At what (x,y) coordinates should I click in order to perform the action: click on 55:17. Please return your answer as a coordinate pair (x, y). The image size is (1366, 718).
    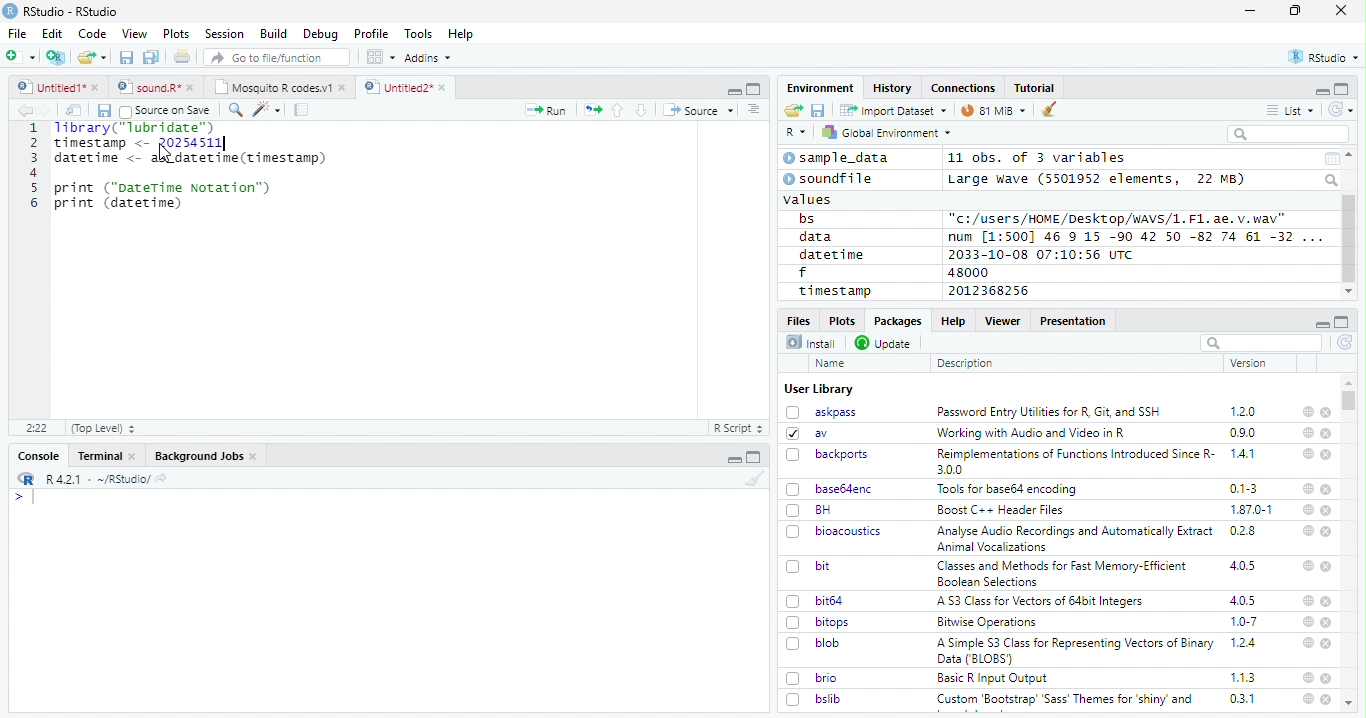
    Looking at the image, I should click on (38, 428).